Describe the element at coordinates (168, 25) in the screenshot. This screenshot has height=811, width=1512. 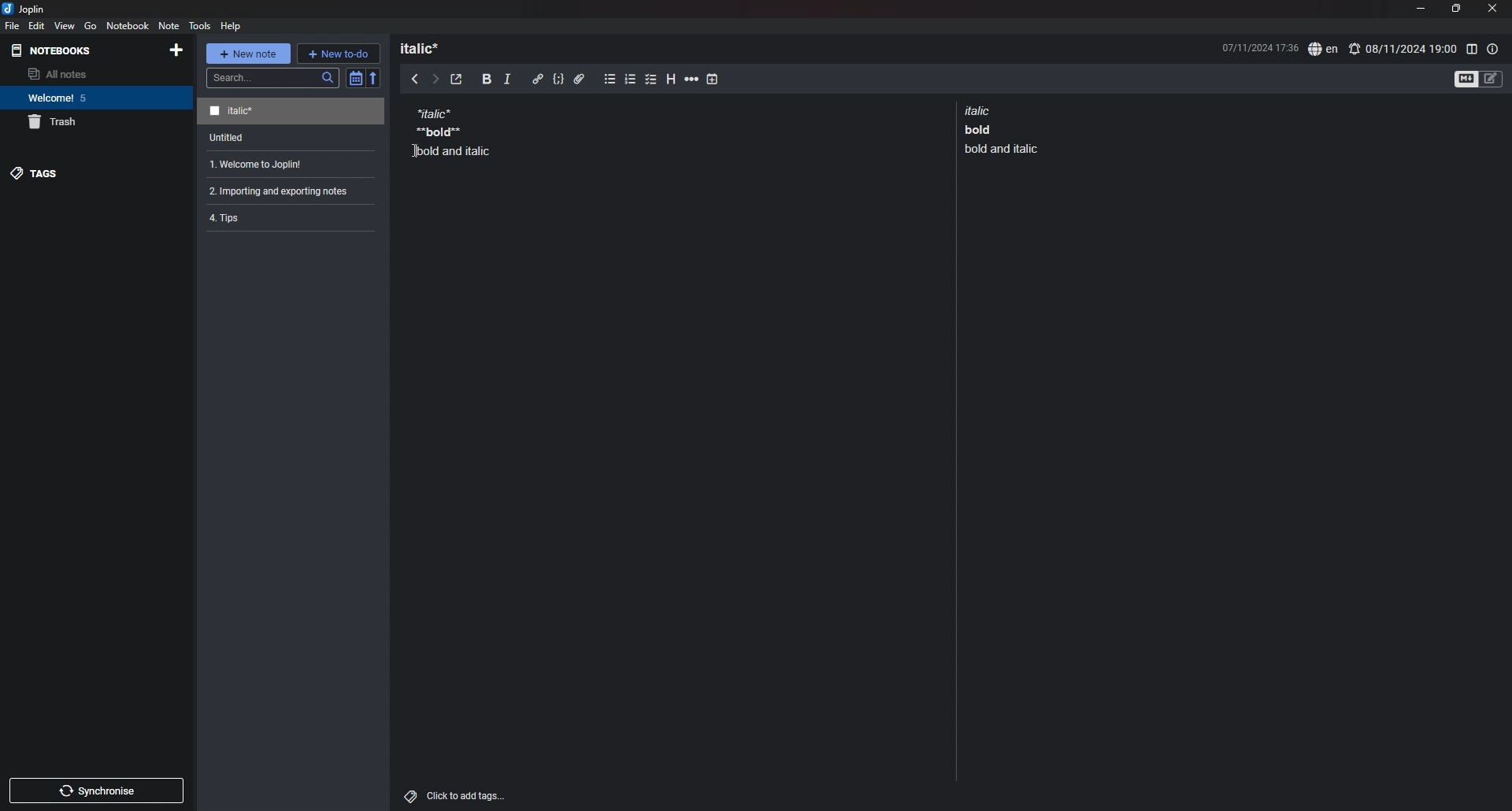
I see `note` at that location.